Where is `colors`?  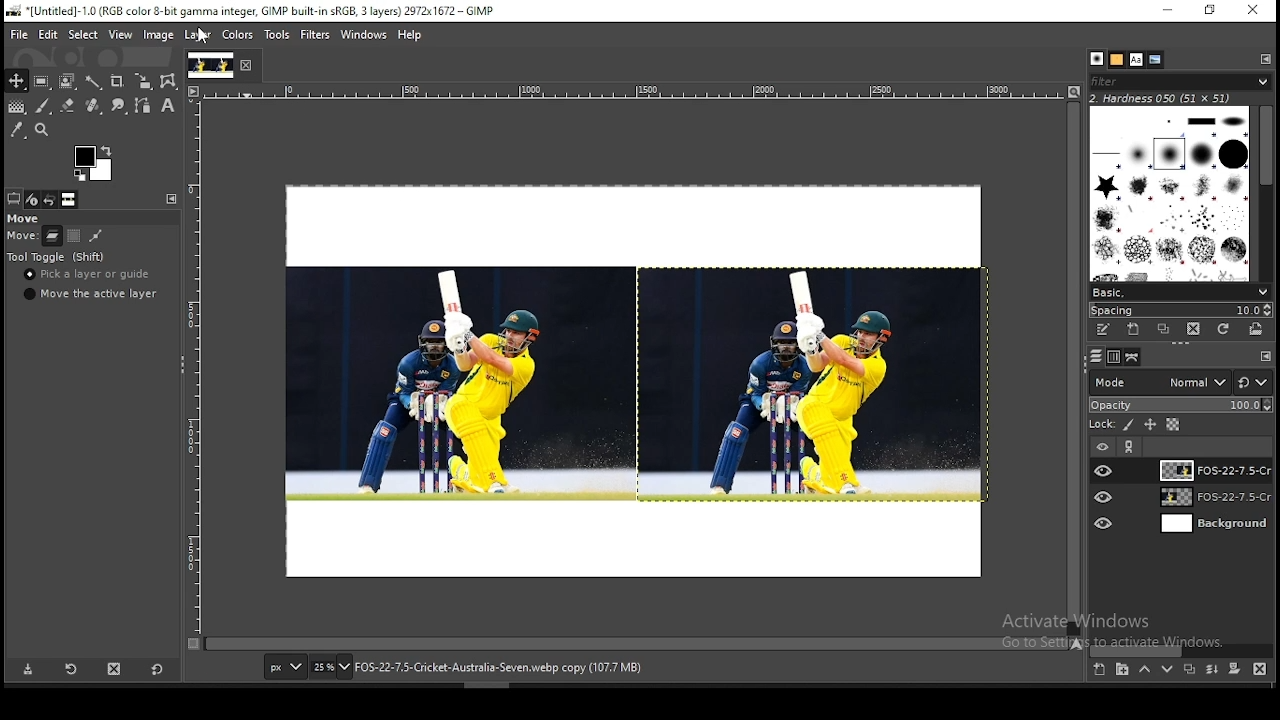 colors is located at coordinates (93, 163).